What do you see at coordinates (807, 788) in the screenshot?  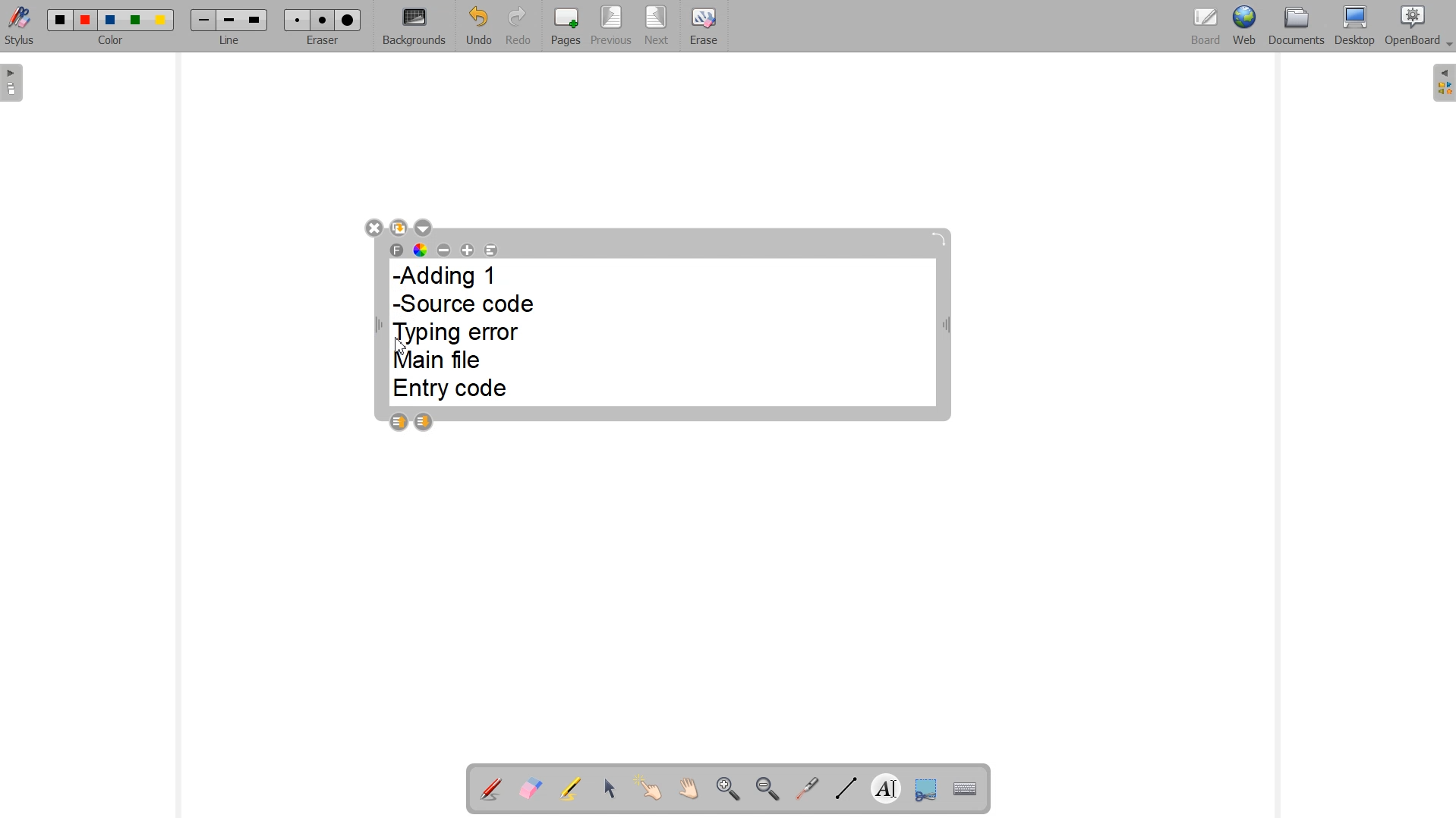 I see `Virtual laser pointer` at bounding box center [807, 788].